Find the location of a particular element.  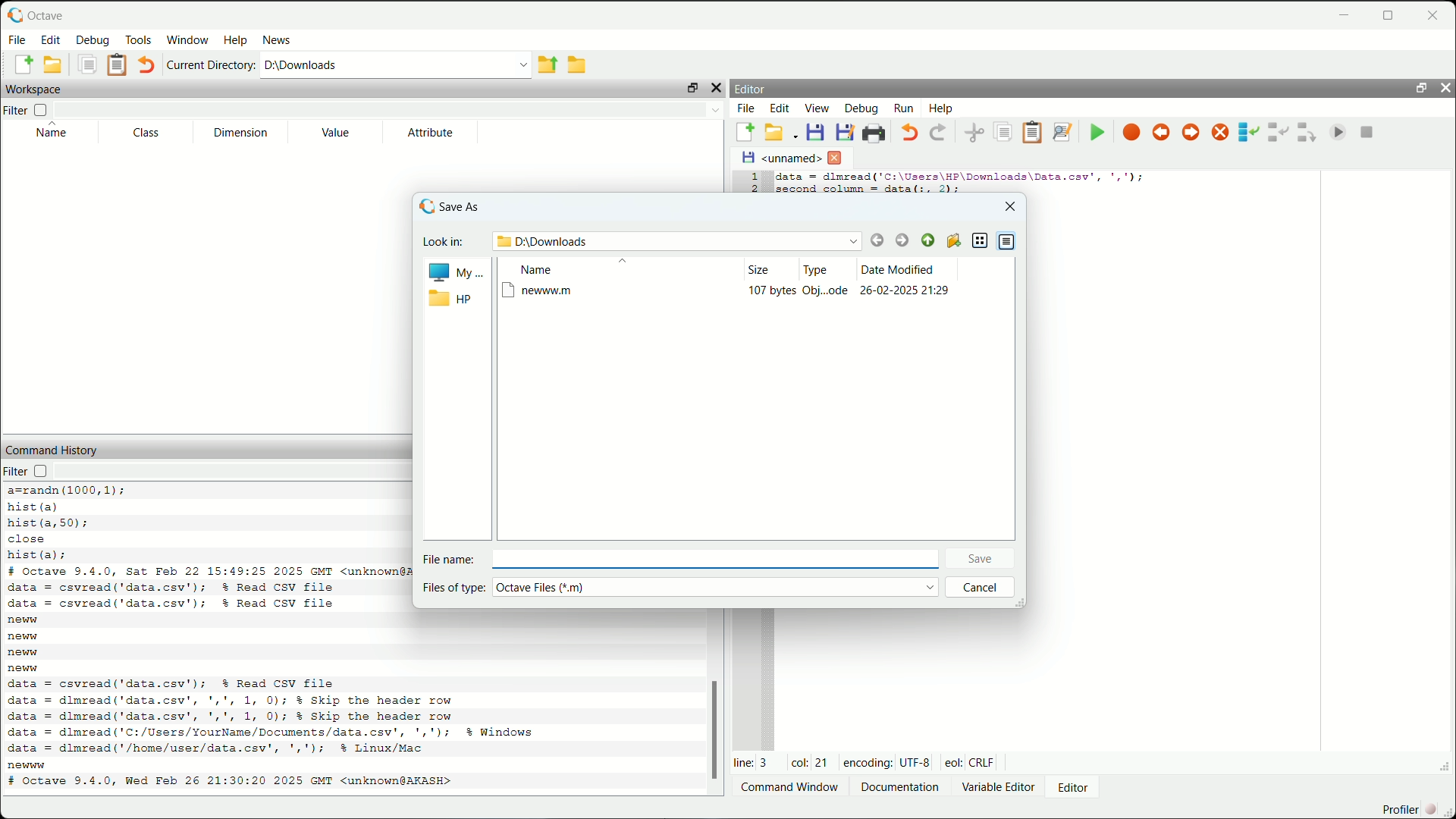

news is located at coordinates (279, 39).